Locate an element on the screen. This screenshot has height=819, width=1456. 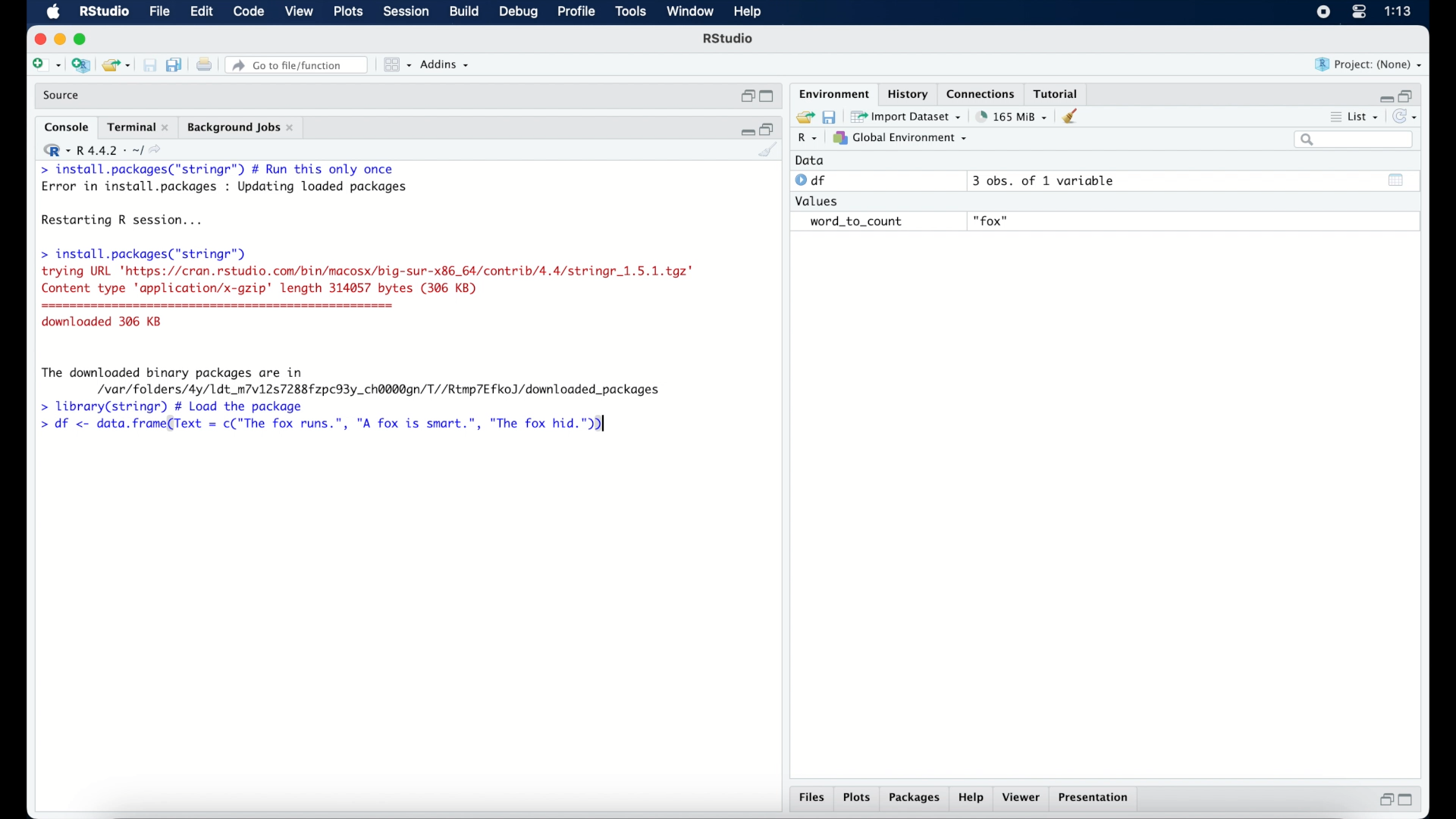
load workspace is located at coordinates (802, 118).